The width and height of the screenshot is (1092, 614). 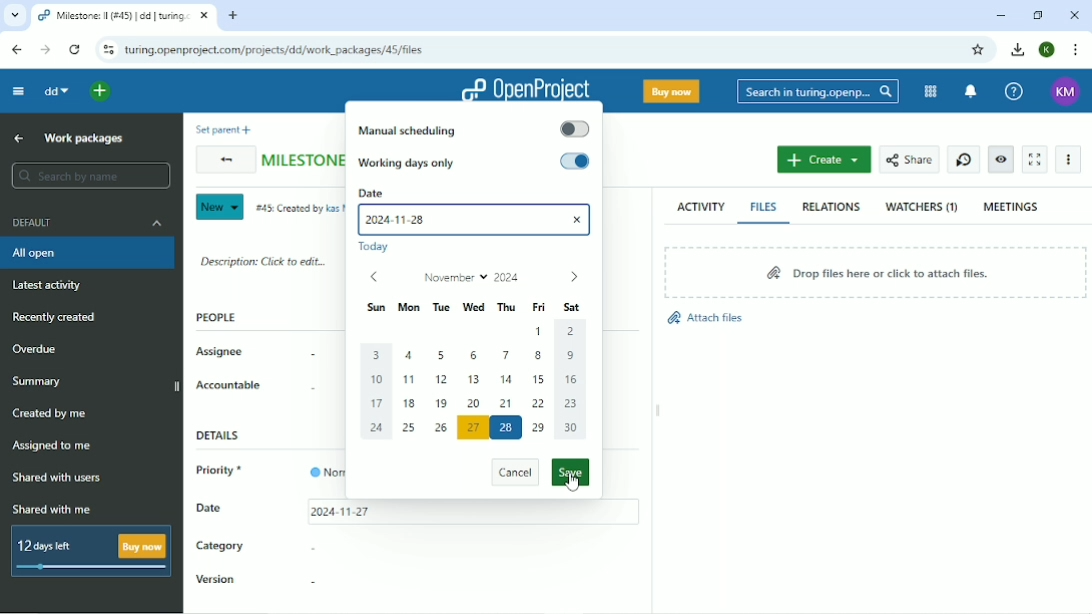 I want to click on Next month, so click(x=573, y=278).